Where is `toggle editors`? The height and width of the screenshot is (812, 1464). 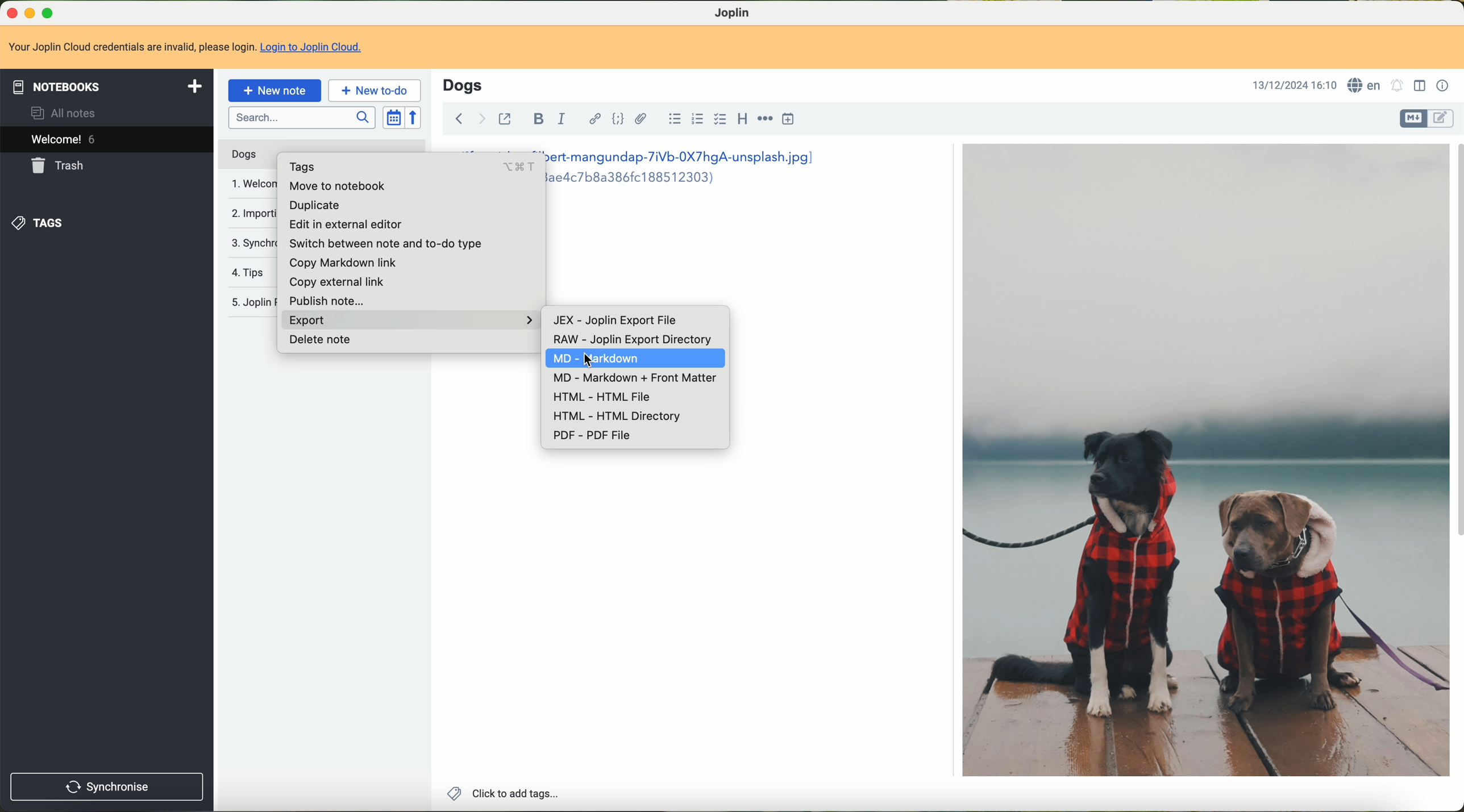 toggle editors is located at coordinates (1415, 118).